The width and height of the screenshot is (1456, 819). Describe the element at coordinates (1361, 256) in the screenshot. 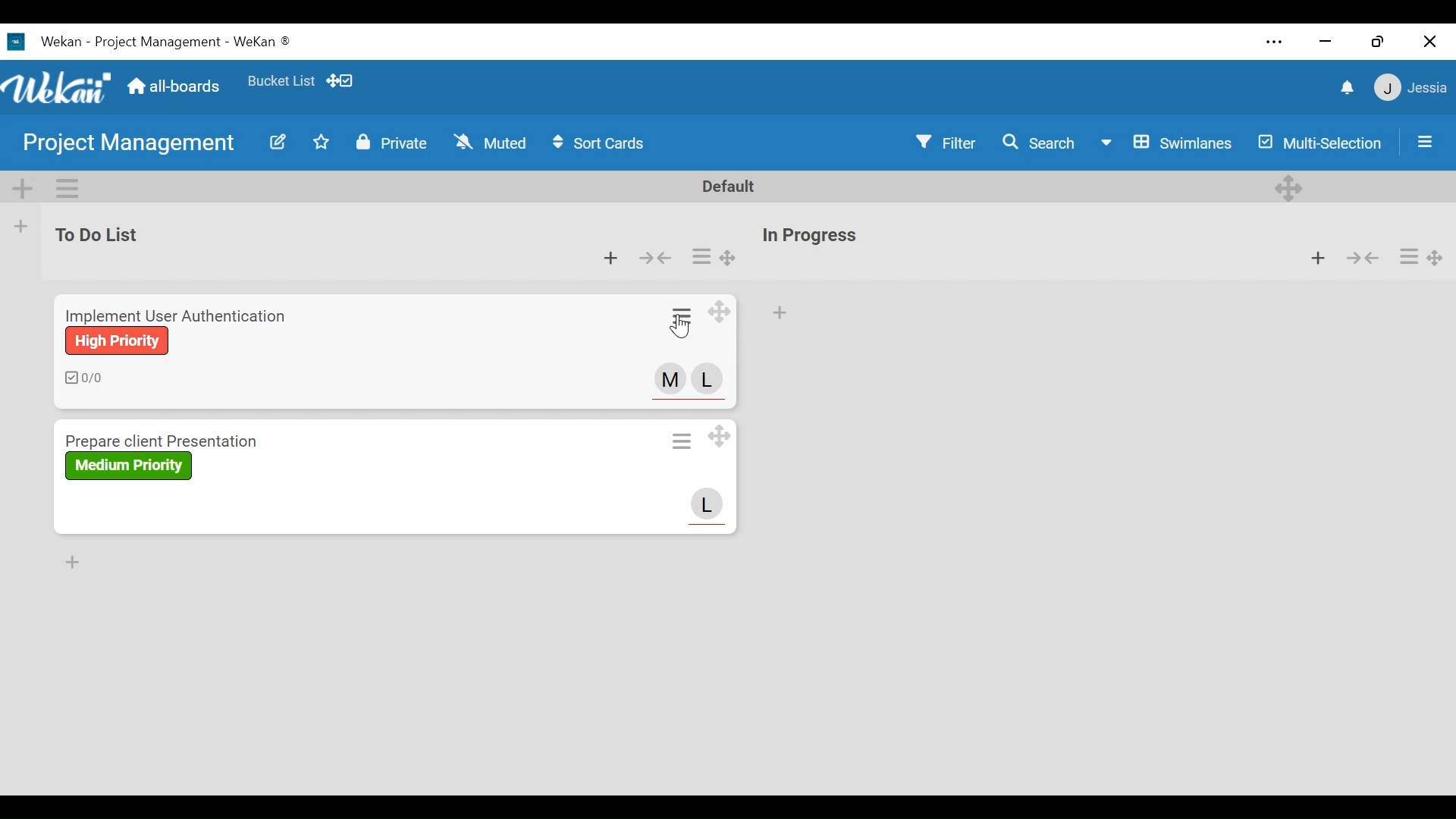

I see `Collapse` at that location.